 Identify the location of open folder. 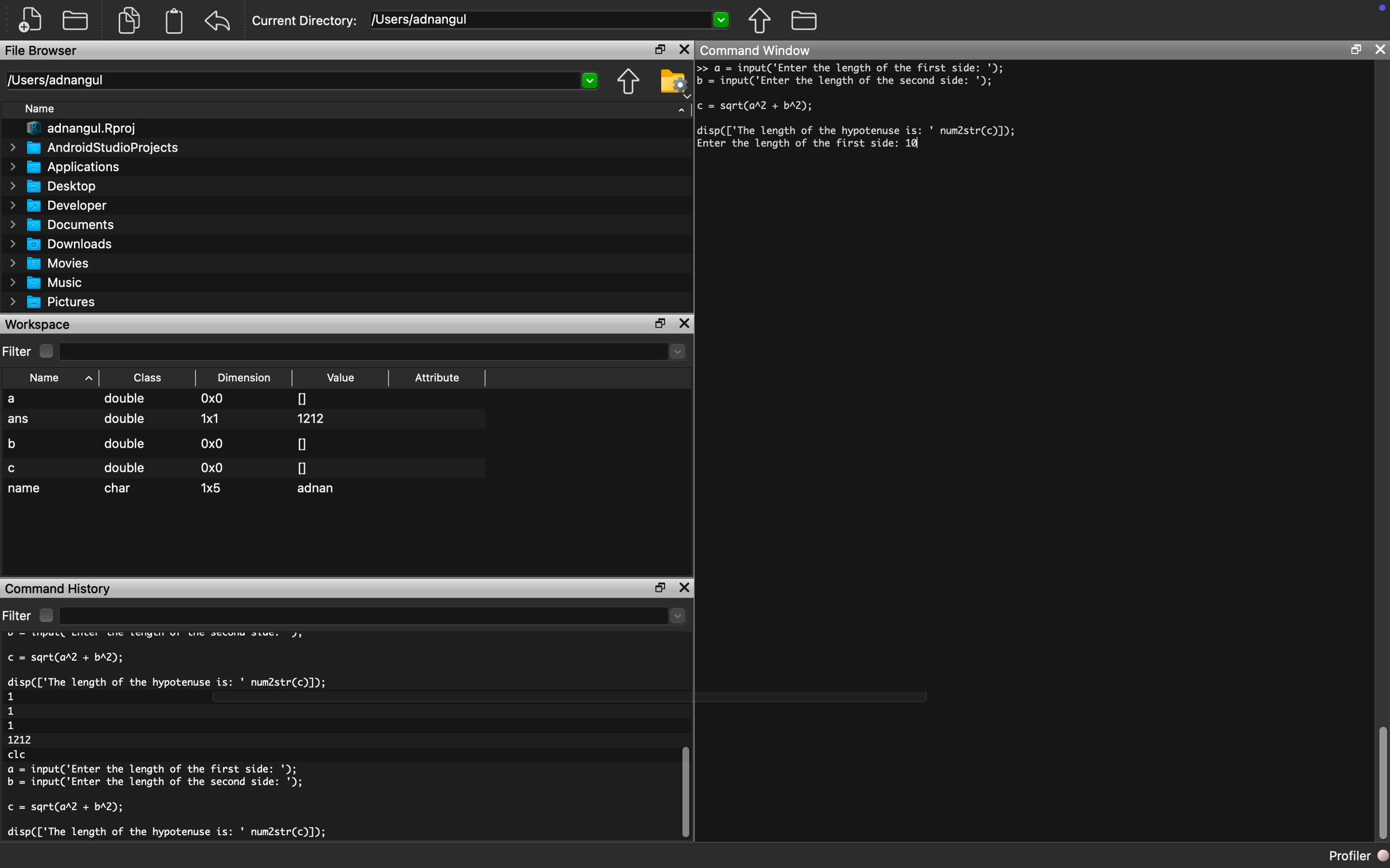
(77, 19).